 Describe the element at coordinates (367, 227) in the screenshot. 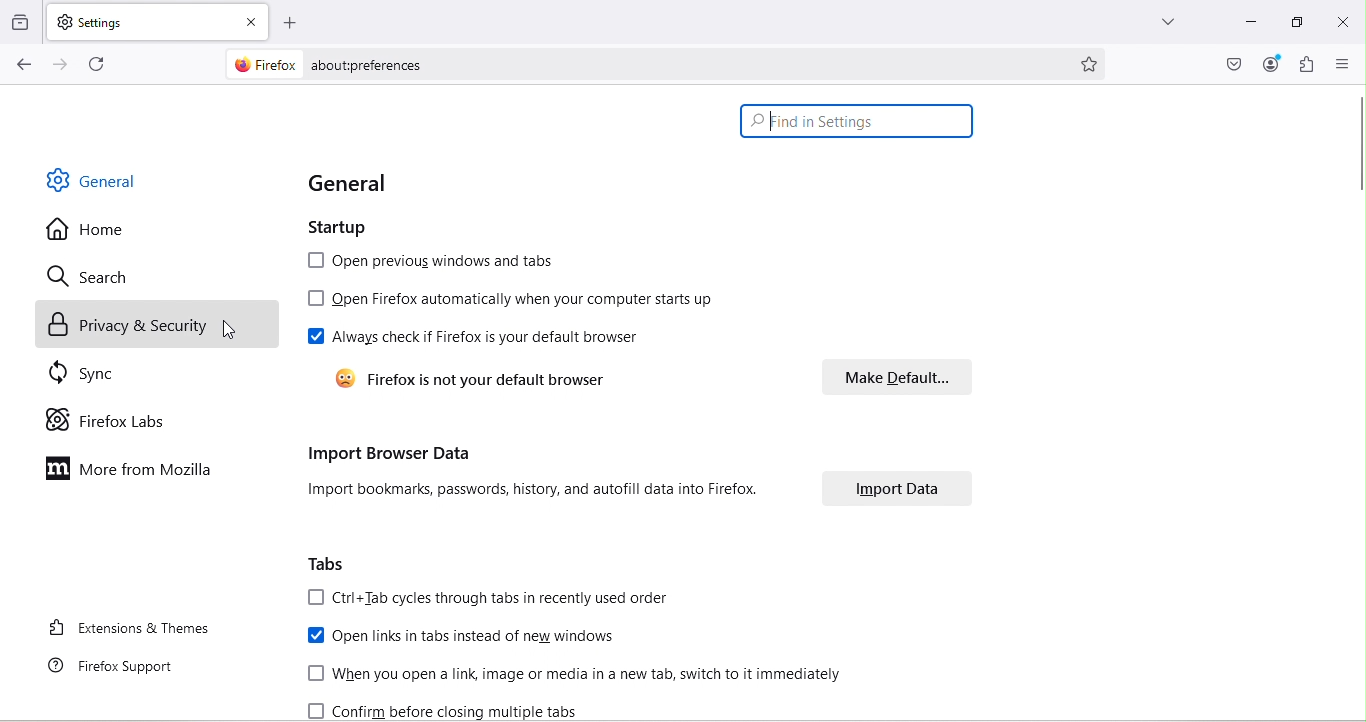

I see `Startup` at that location.